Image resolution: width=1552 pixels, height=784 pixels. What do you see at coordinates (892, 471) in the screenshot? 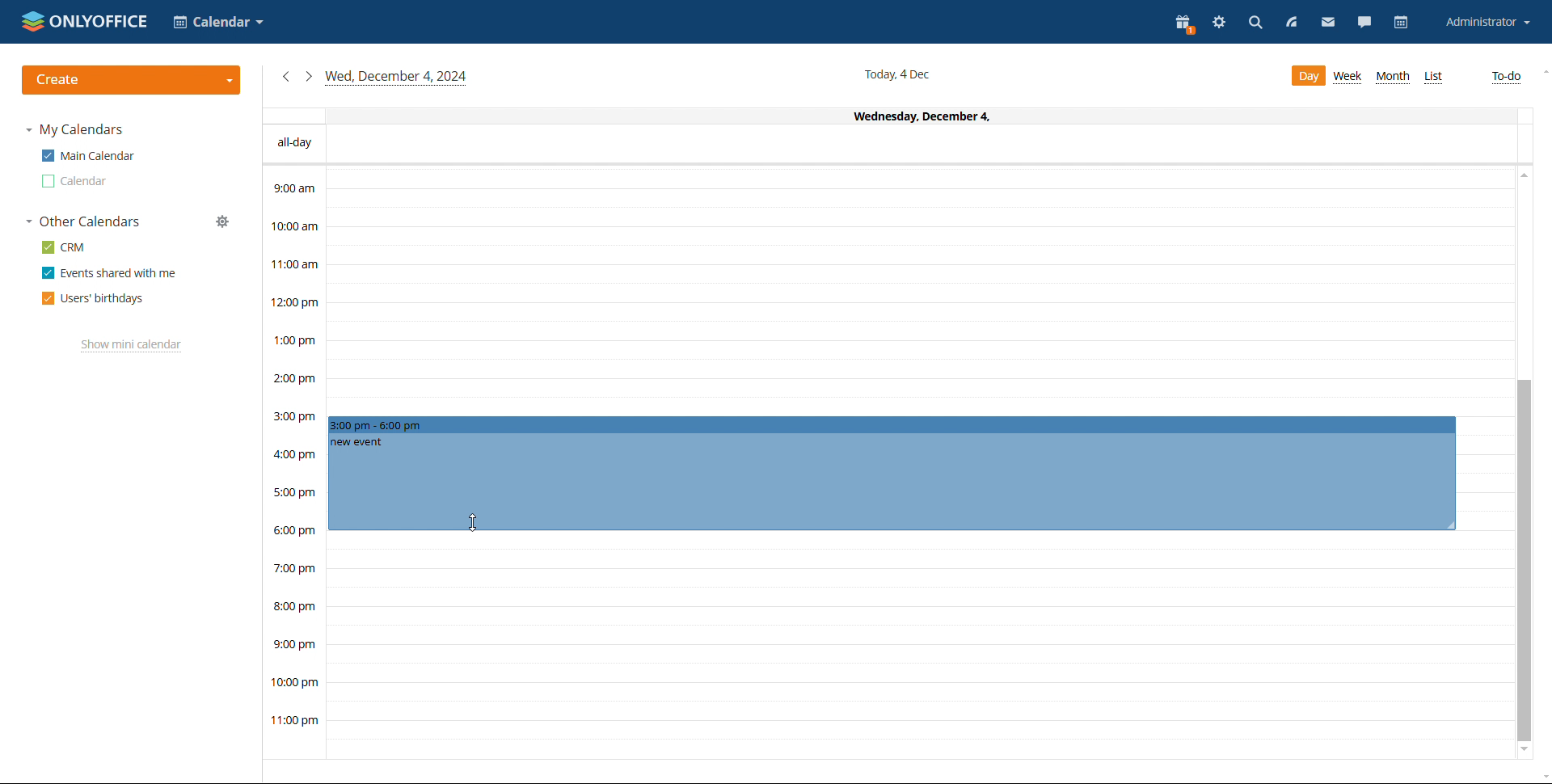
I see `edges being dragged` at bounding box center [892, 471].